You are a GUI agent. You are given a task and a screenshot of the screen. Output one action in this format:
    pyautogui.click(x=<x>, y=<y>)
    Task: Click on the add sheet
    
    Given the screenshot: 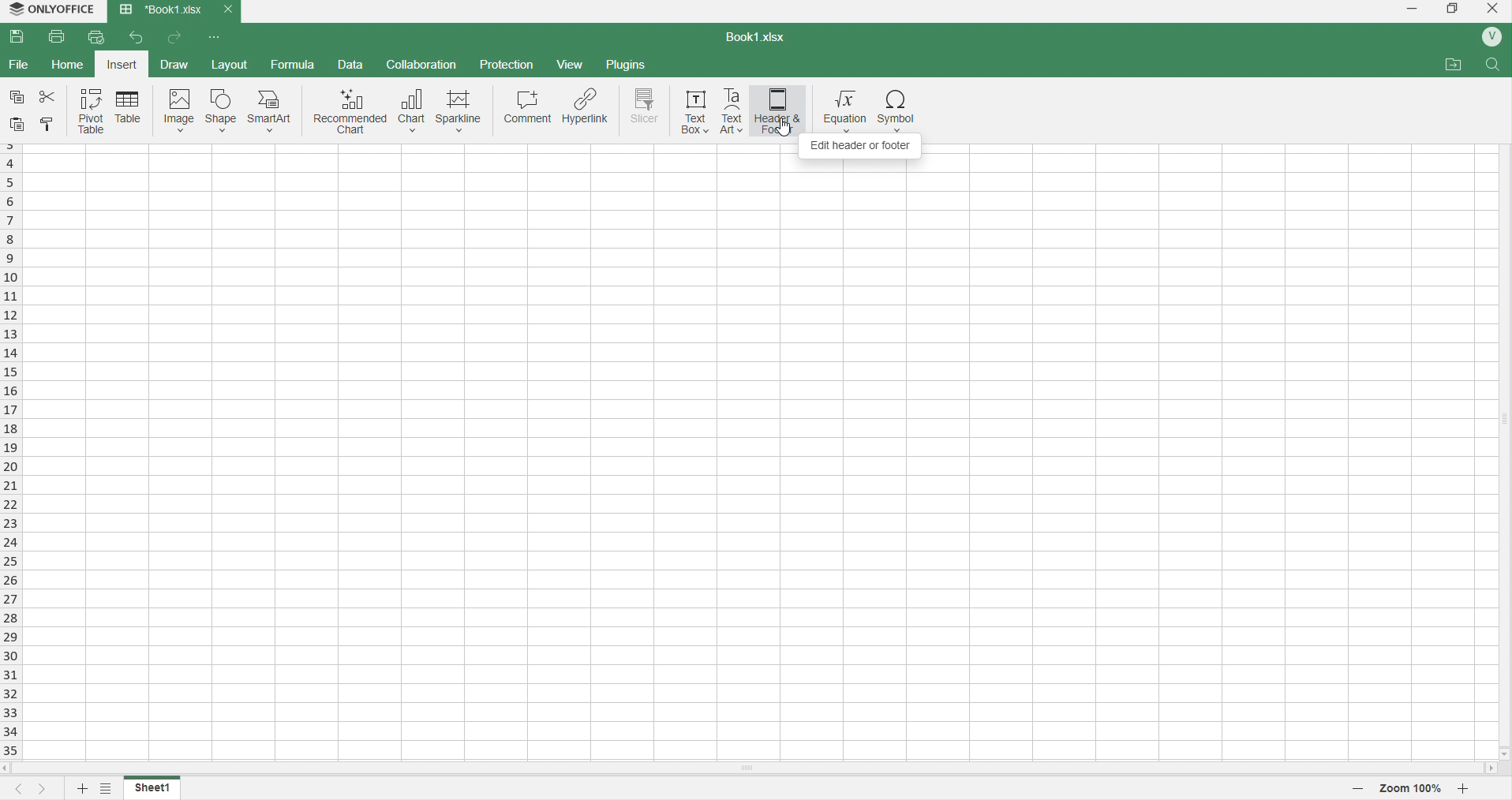 What is the action you would take?
    pyautogui.click(x=80, y=790)
    